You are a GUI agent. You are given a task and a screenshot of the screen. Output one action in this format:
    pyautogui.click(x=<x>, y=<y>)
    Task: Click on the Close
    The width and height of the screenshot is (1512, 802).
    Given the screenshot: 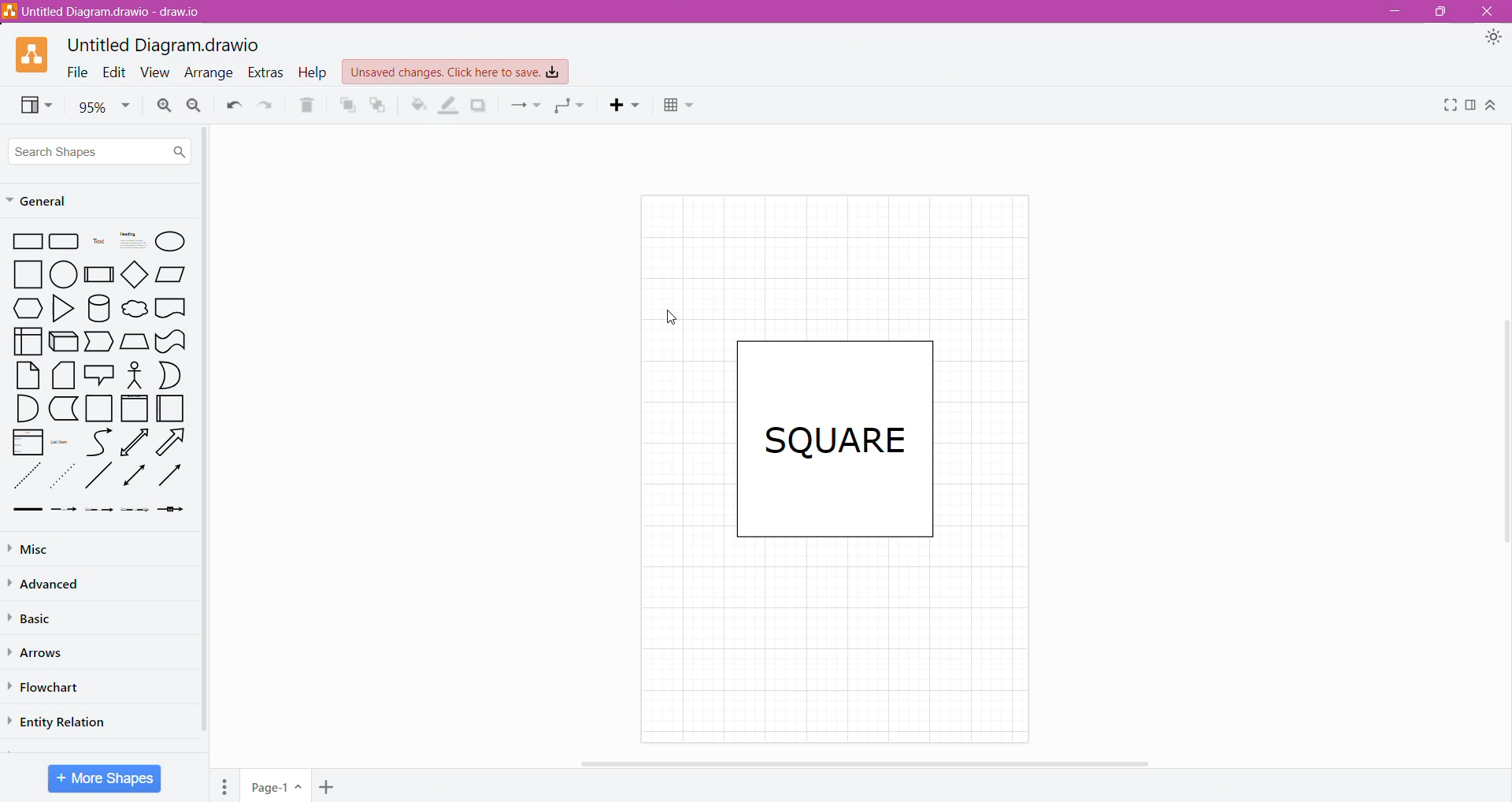 What is the action you would take?
    pyautogui.click(x=1490, y=12)
    